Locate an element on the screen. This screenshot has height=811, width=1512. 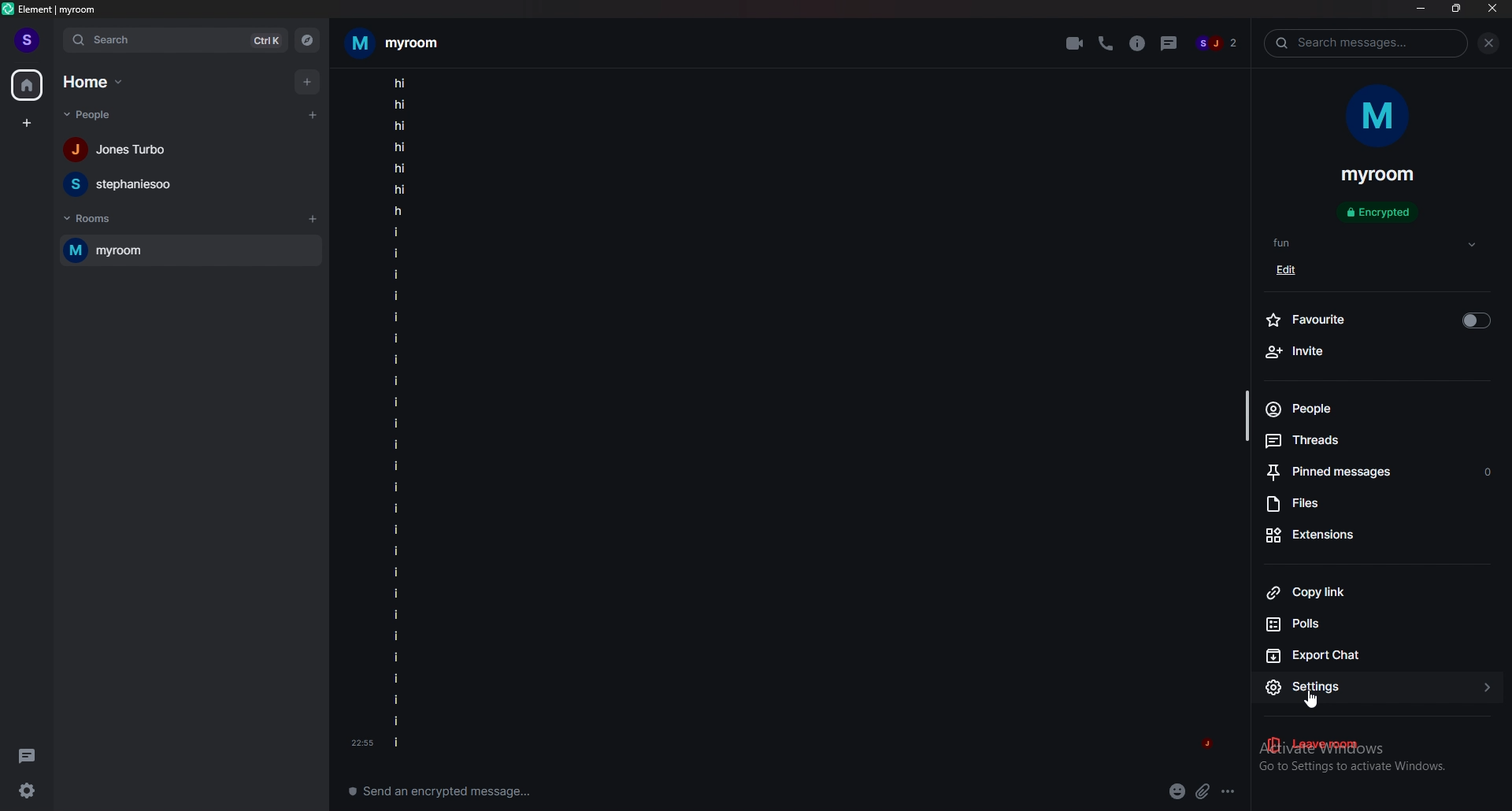
video call is located at coordinates (1076, 42).